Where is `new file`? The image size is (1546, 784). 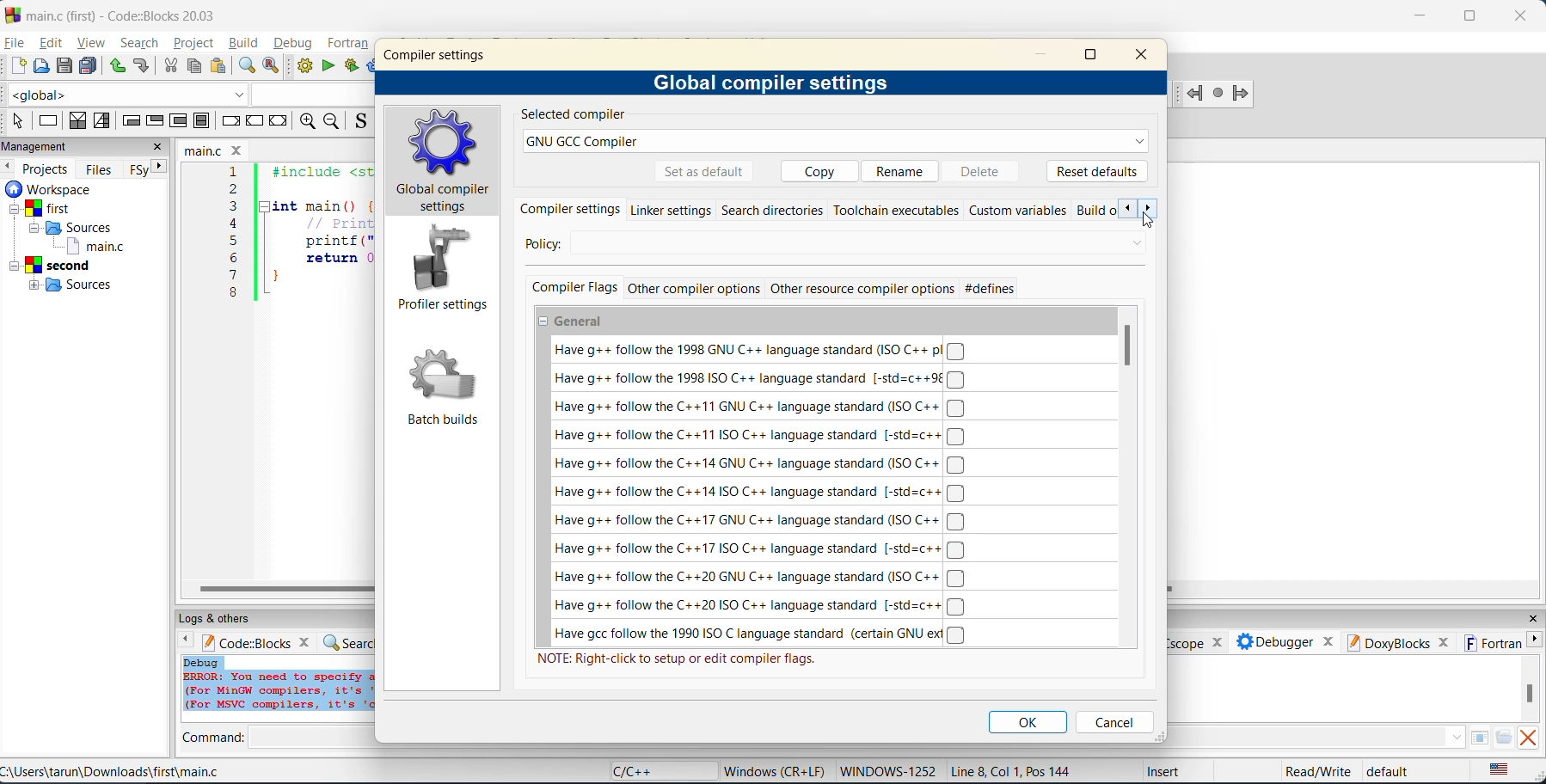
new file is located at coordinates (20, 67).